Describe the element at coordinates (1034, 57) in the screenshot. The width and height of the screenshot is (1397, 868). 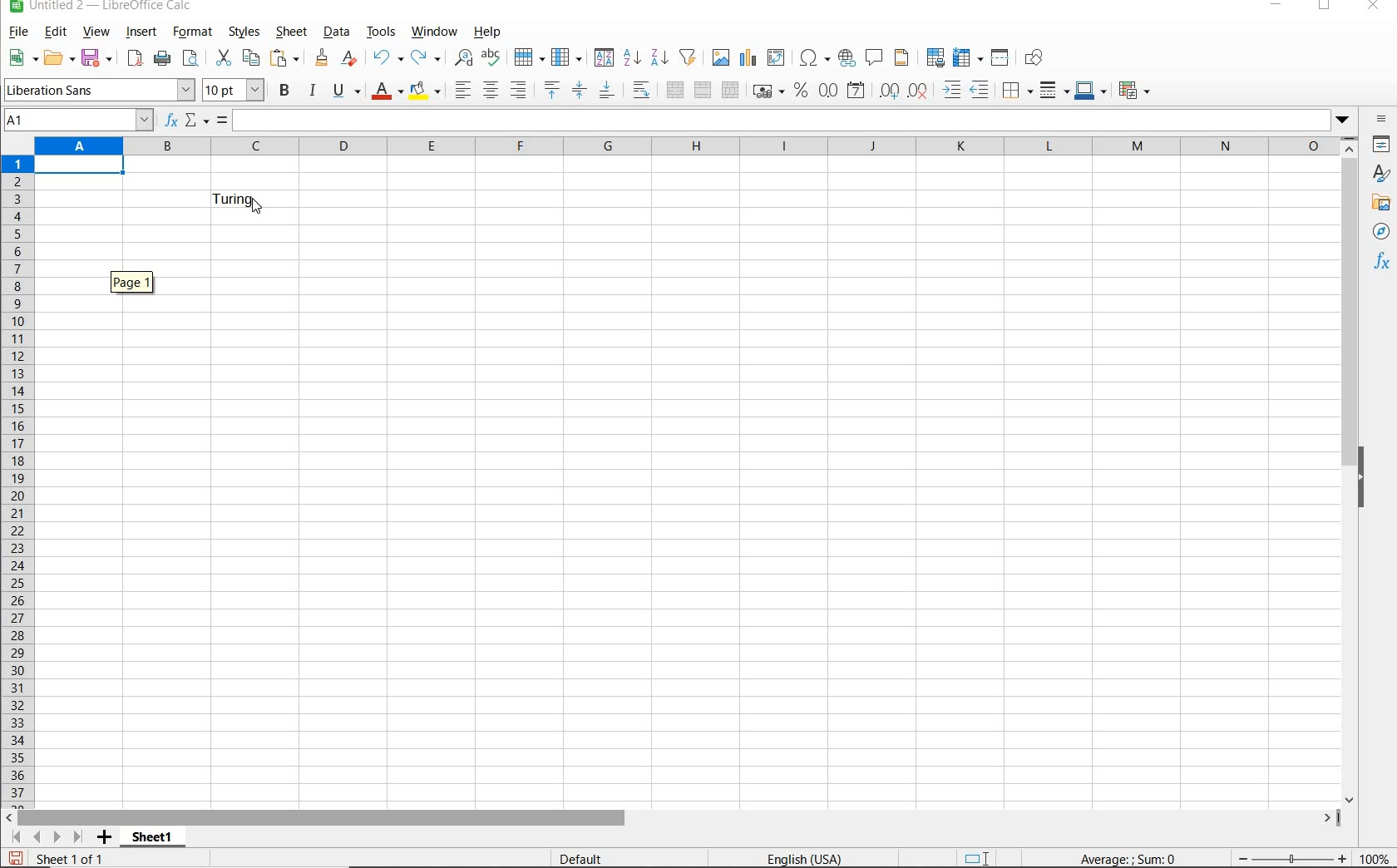
I see `SHOW DRAW FUNCTIONS` at that location.